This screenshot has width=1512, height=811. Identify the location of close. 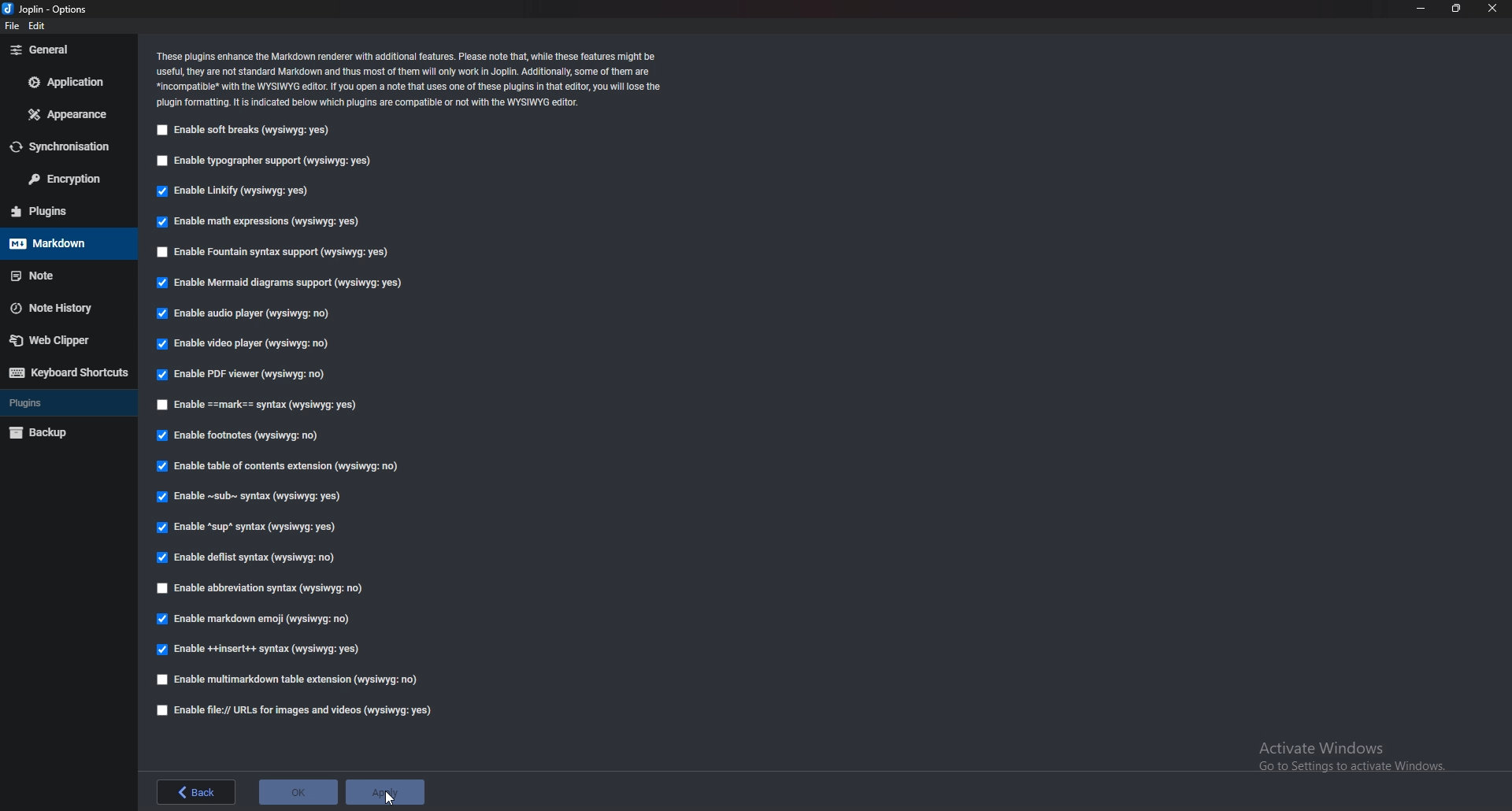
(1492, 8).